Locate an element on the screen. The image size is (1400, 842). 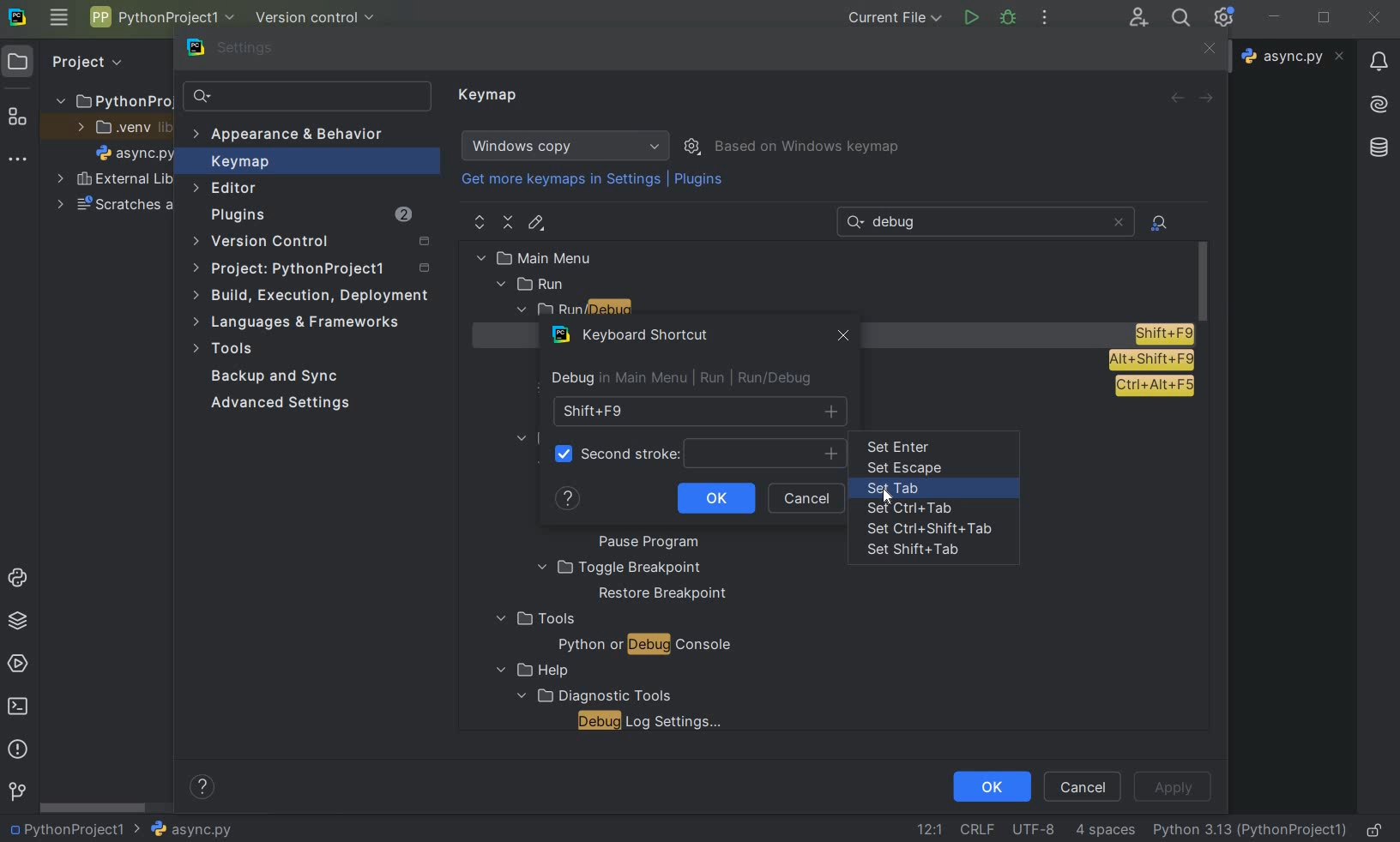
set escape is located at coordinates (906, 468).